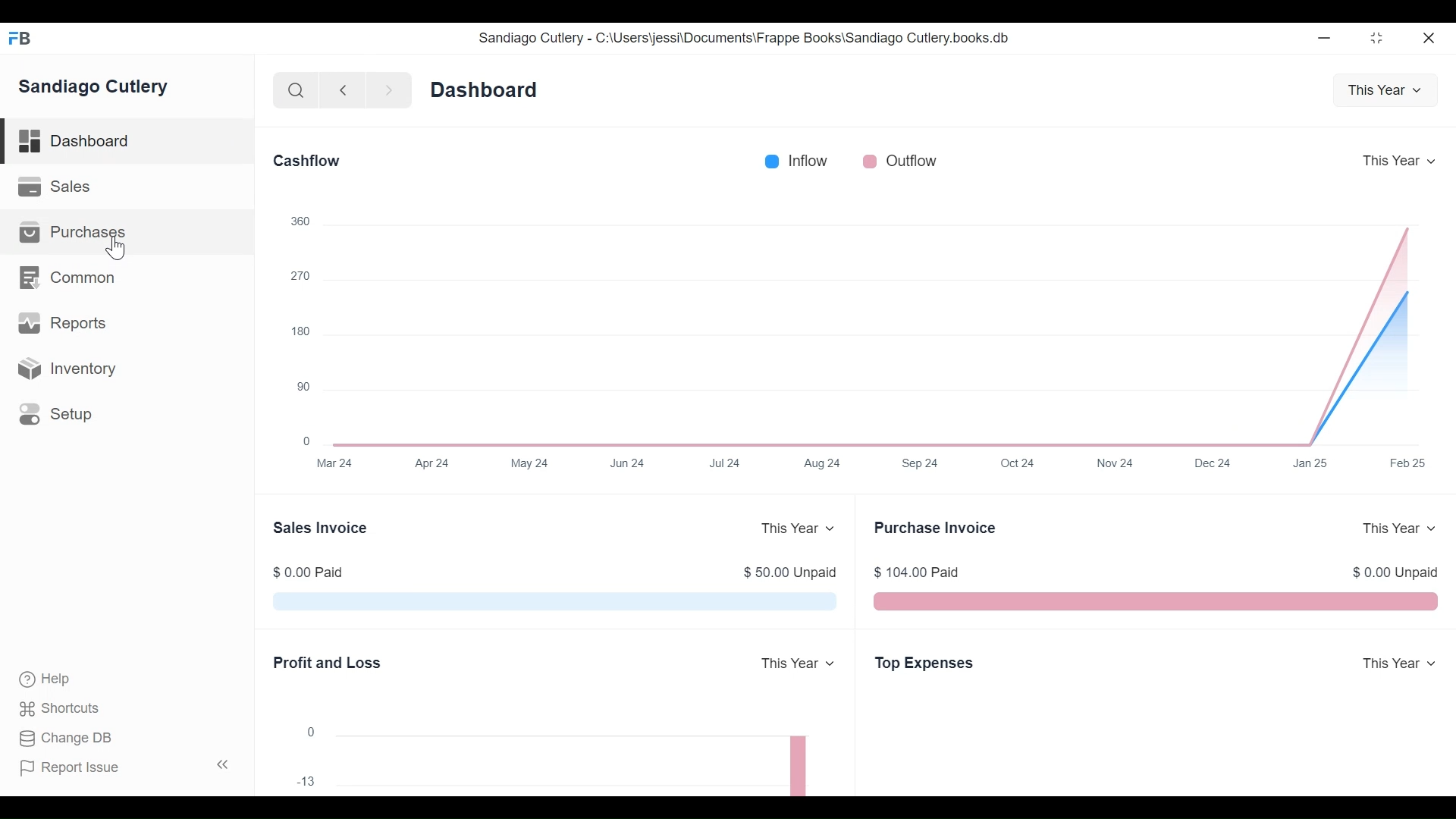 The height and width of the screenshot is (819, 1456). What do you see at coordinates (629, 462) in the screenshot?
I see `Jun 24` at bounding box center [629, 462].